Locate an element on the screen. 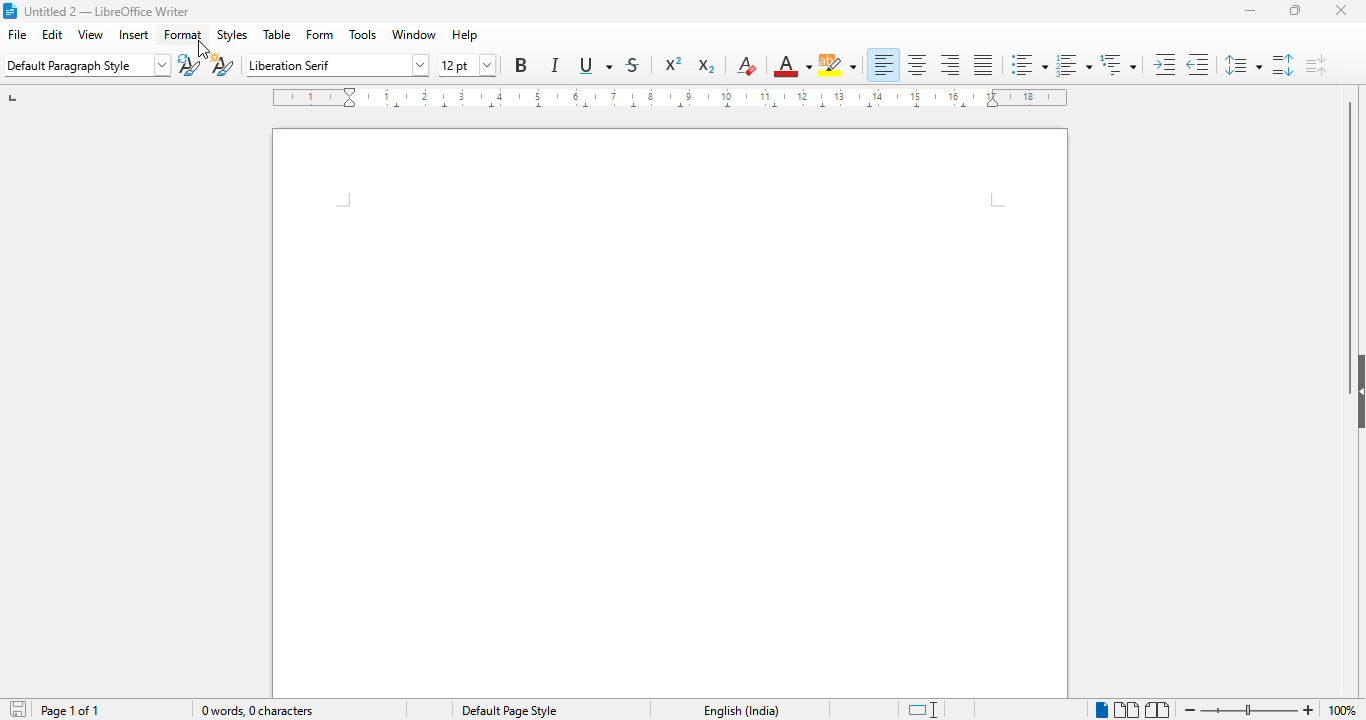 The width and height of the screenshot is (1366, 720). set paragraph style is located at coordinates (87, 66).